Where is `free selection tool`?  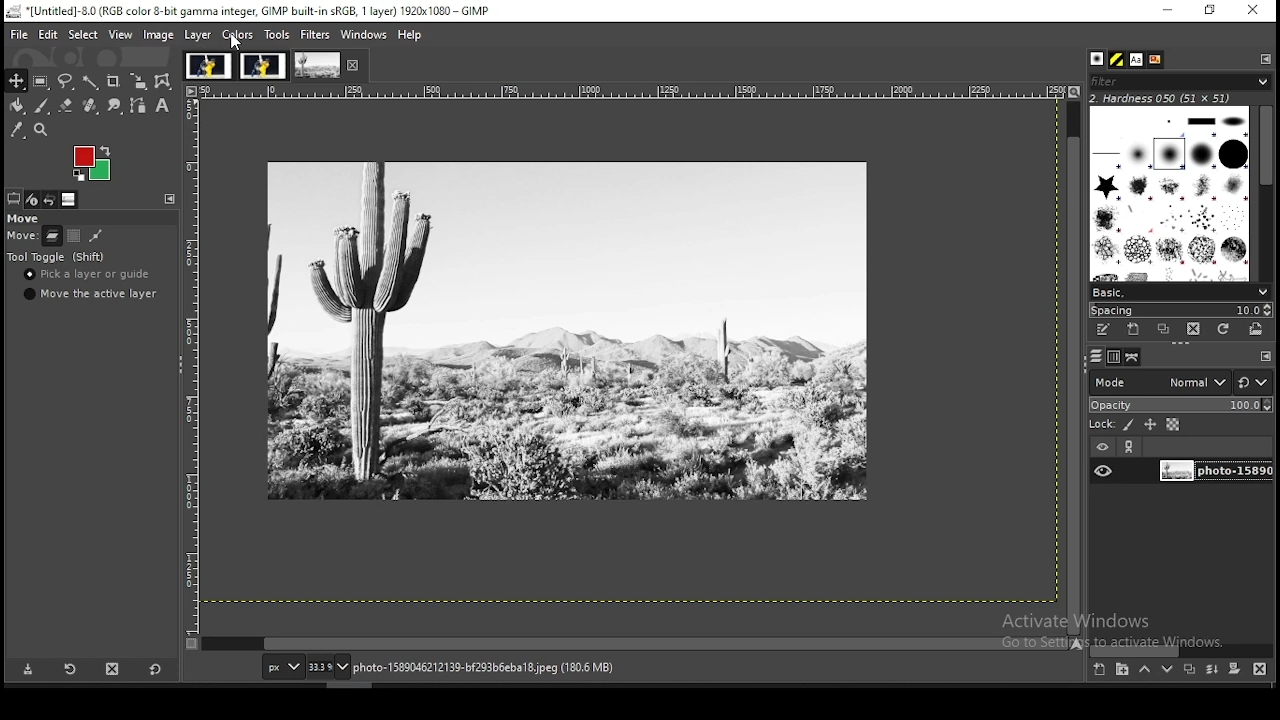 free selection tool is located at coordinates (65, 81).